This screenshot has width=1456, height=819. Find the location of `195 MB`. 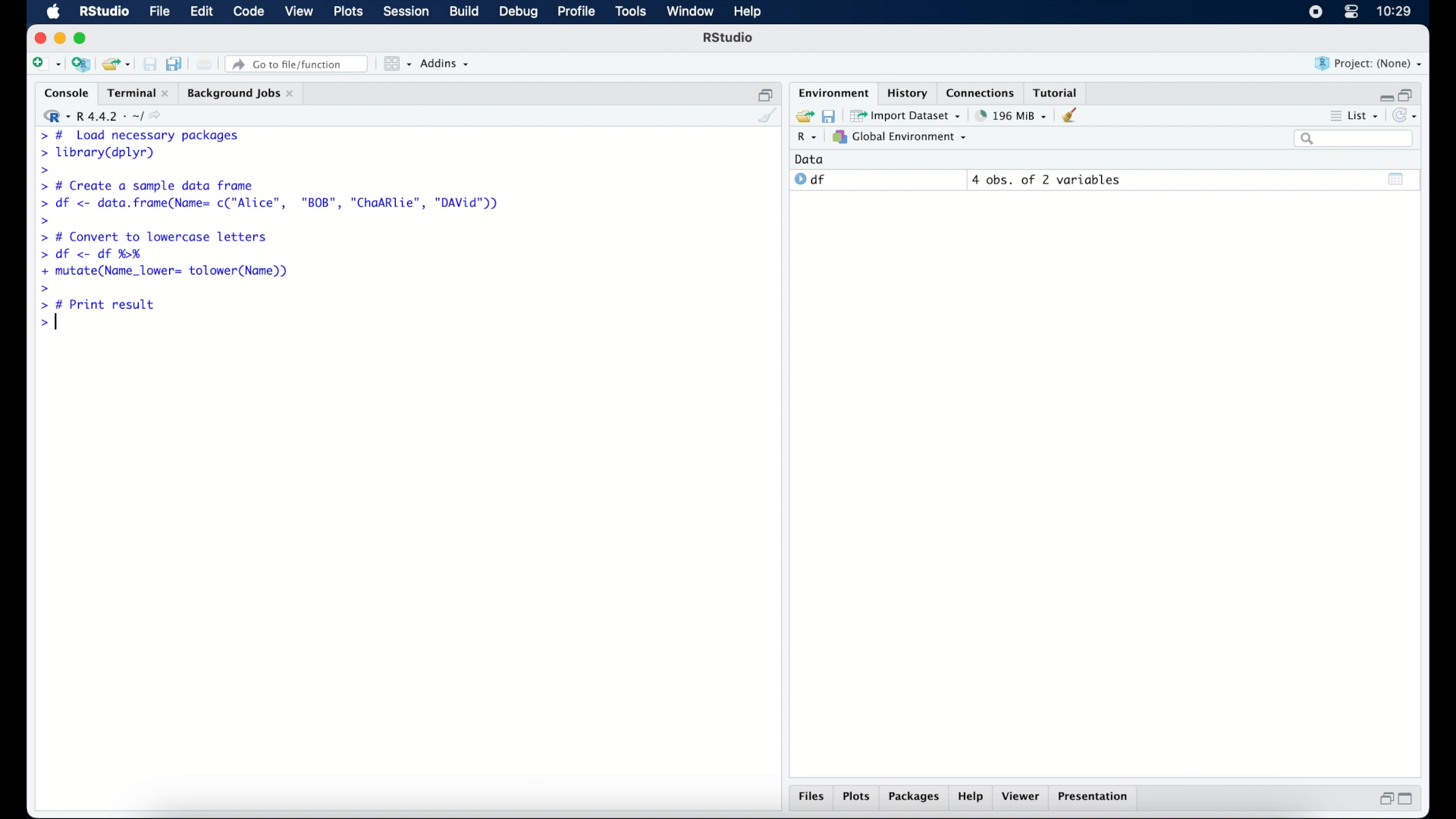

195 MB is located at coordinates (1010, 115).